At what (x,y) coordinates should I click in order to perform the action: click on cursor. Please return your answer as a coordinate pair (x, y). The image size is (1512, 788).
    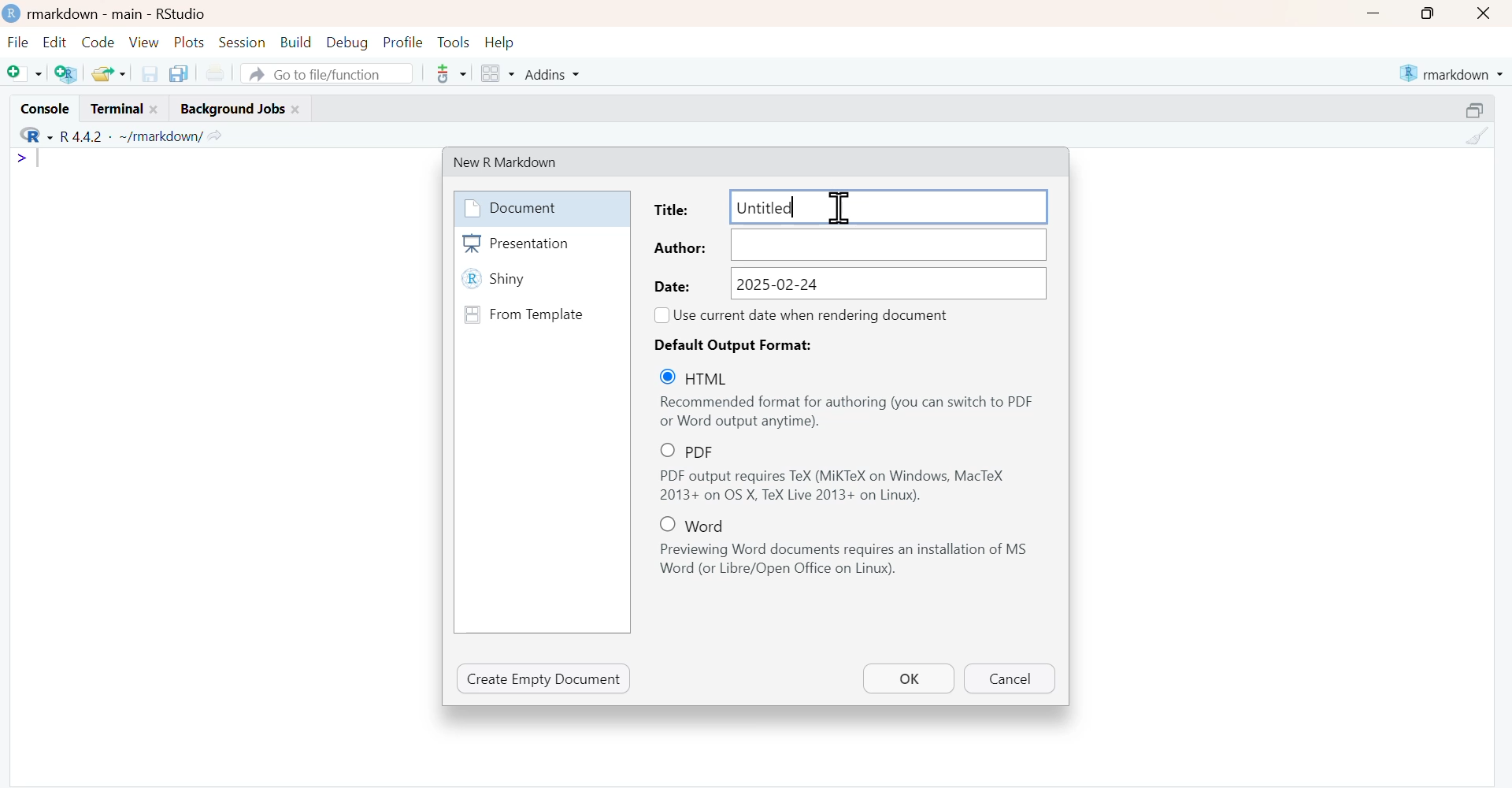
    Looking at the image, I should click on (836, 206).